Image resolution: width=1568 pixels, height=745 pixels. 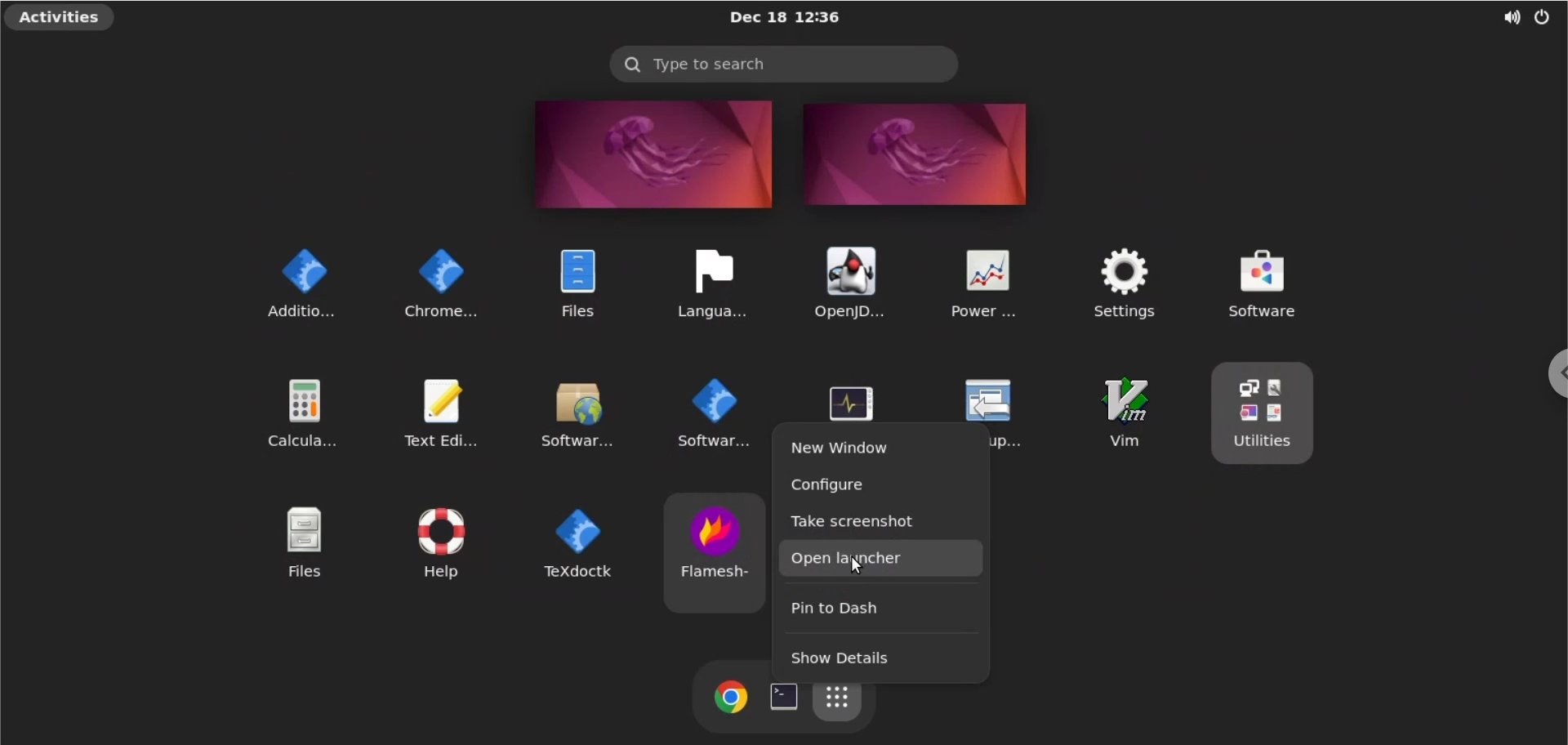 What do you see at coordinates (709, 413) in the screenshot?
I see `software settings` at bounding box center [709, 413].